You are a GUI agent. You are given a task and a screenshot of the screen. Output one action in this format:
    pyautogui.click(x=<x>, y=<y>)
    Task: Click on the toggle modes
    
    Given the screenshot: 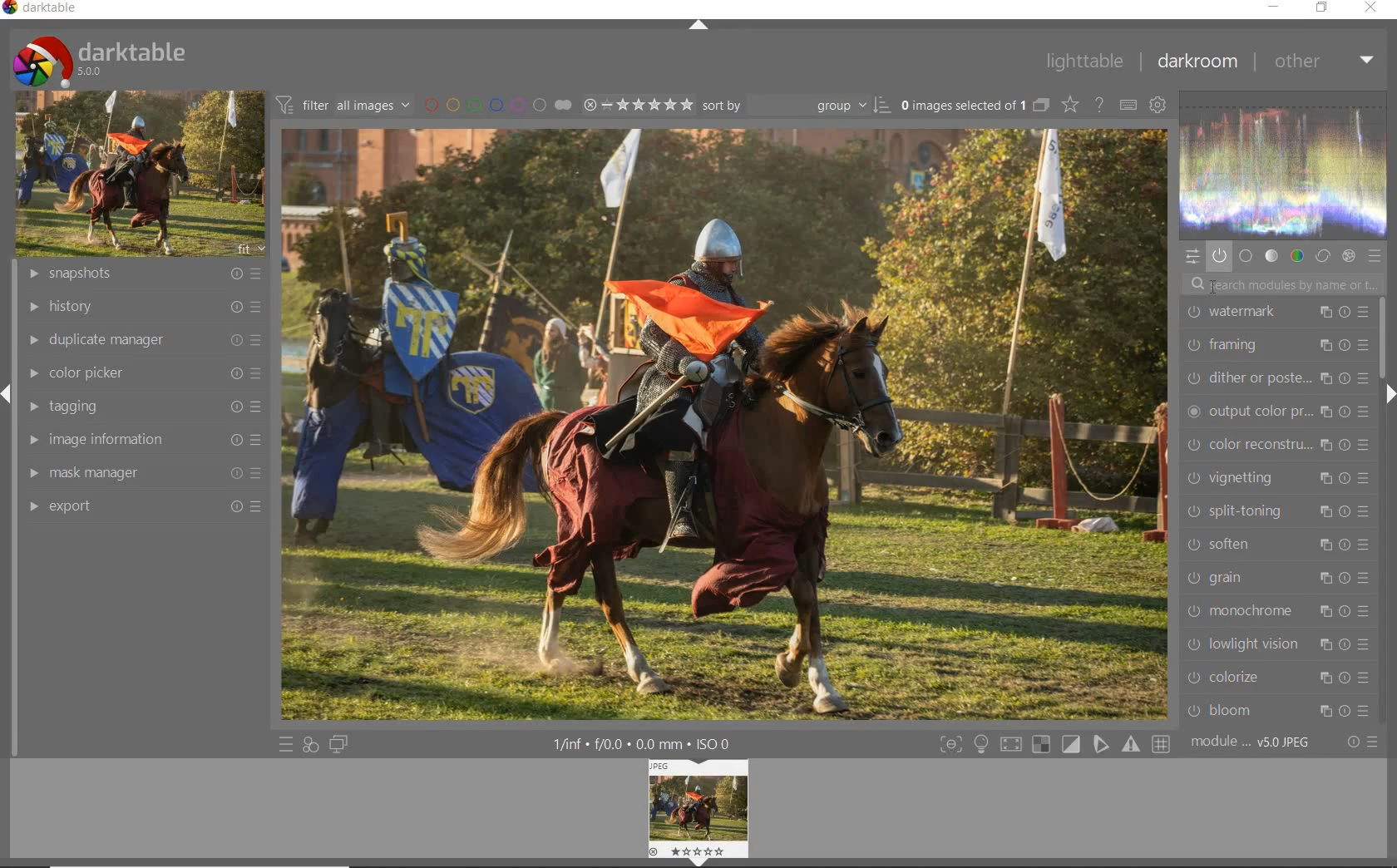 What is the action you would take?
    pyautogui.click(x=981, y=742)
    